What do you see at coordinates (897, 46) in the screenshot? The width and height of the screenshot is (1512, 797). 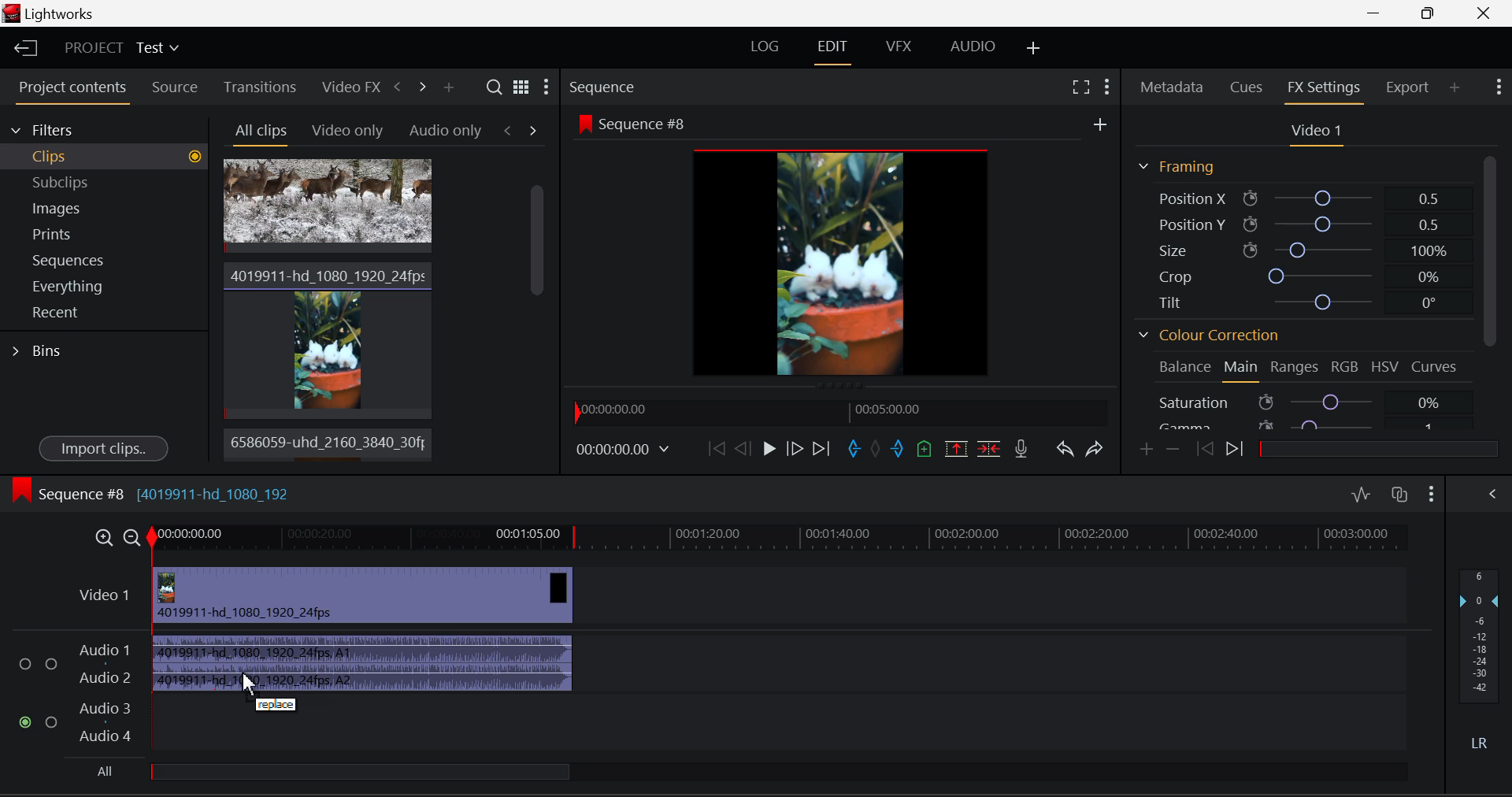 I see `VFX Layout` at bounding box center [897, 46].